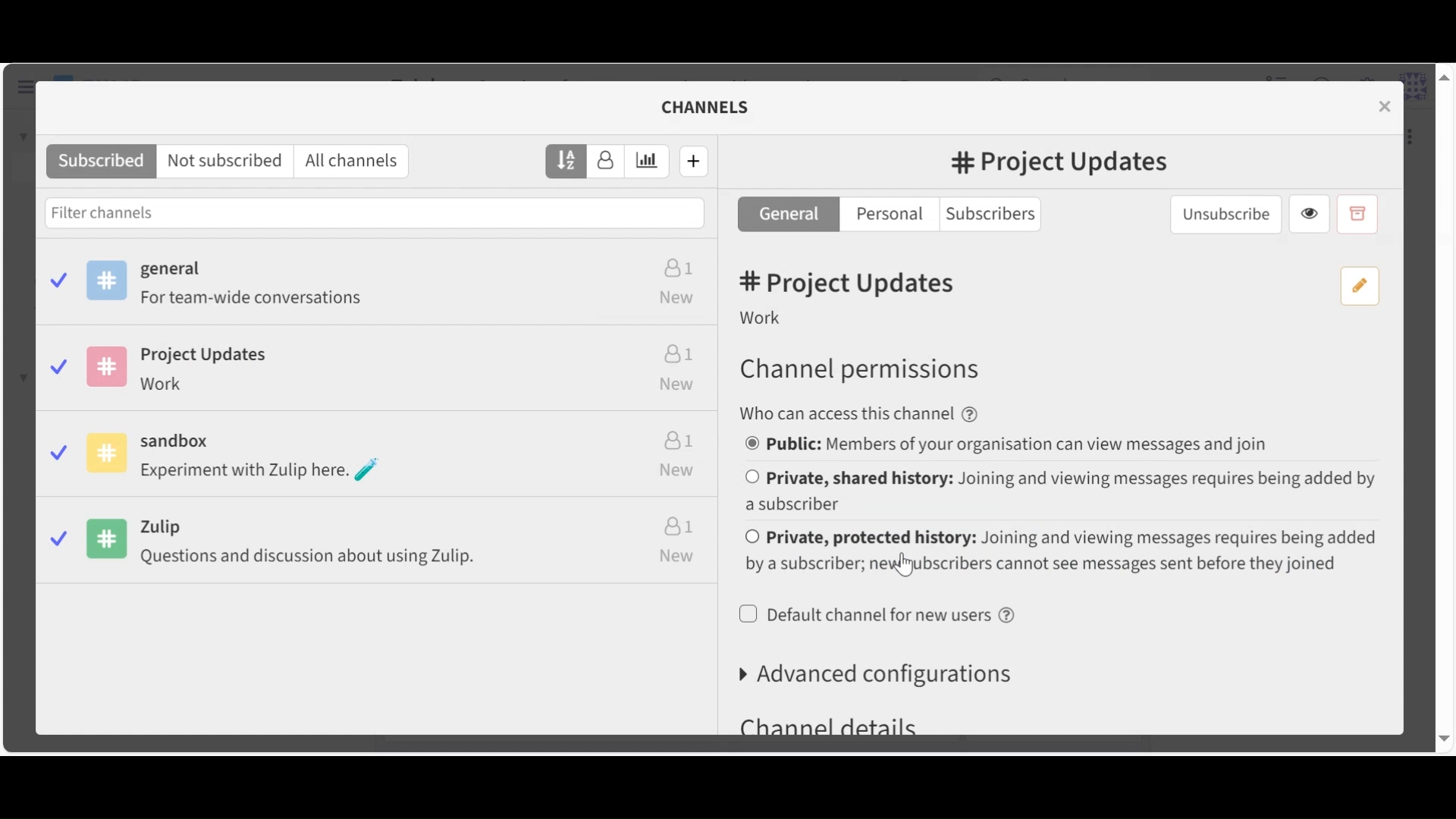 Image resolution: width=1456 pixels, height=819 pixels. I want to click on Channel name, so click(845, 284).